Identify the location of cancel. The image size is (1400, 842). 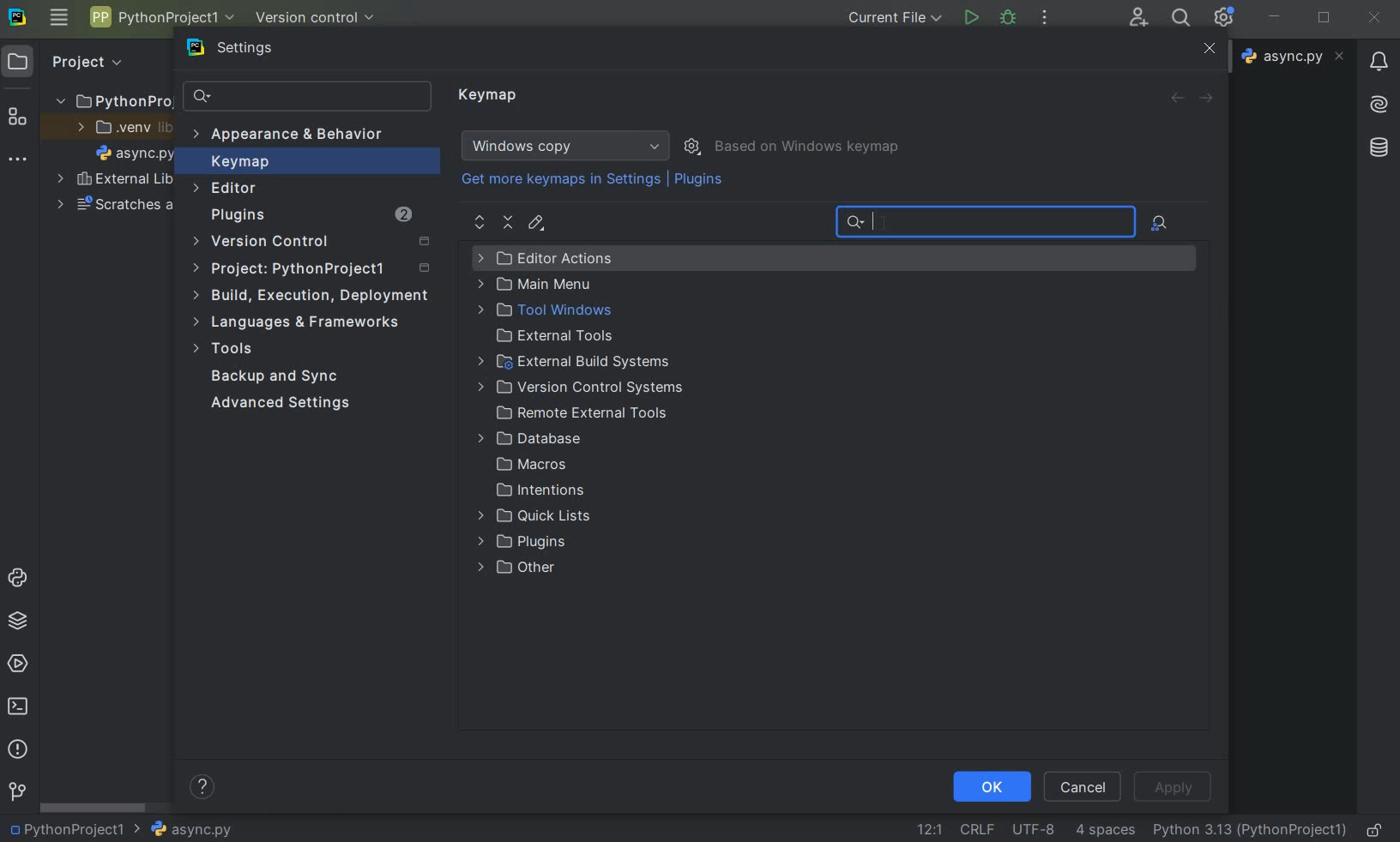
(1083, 785).